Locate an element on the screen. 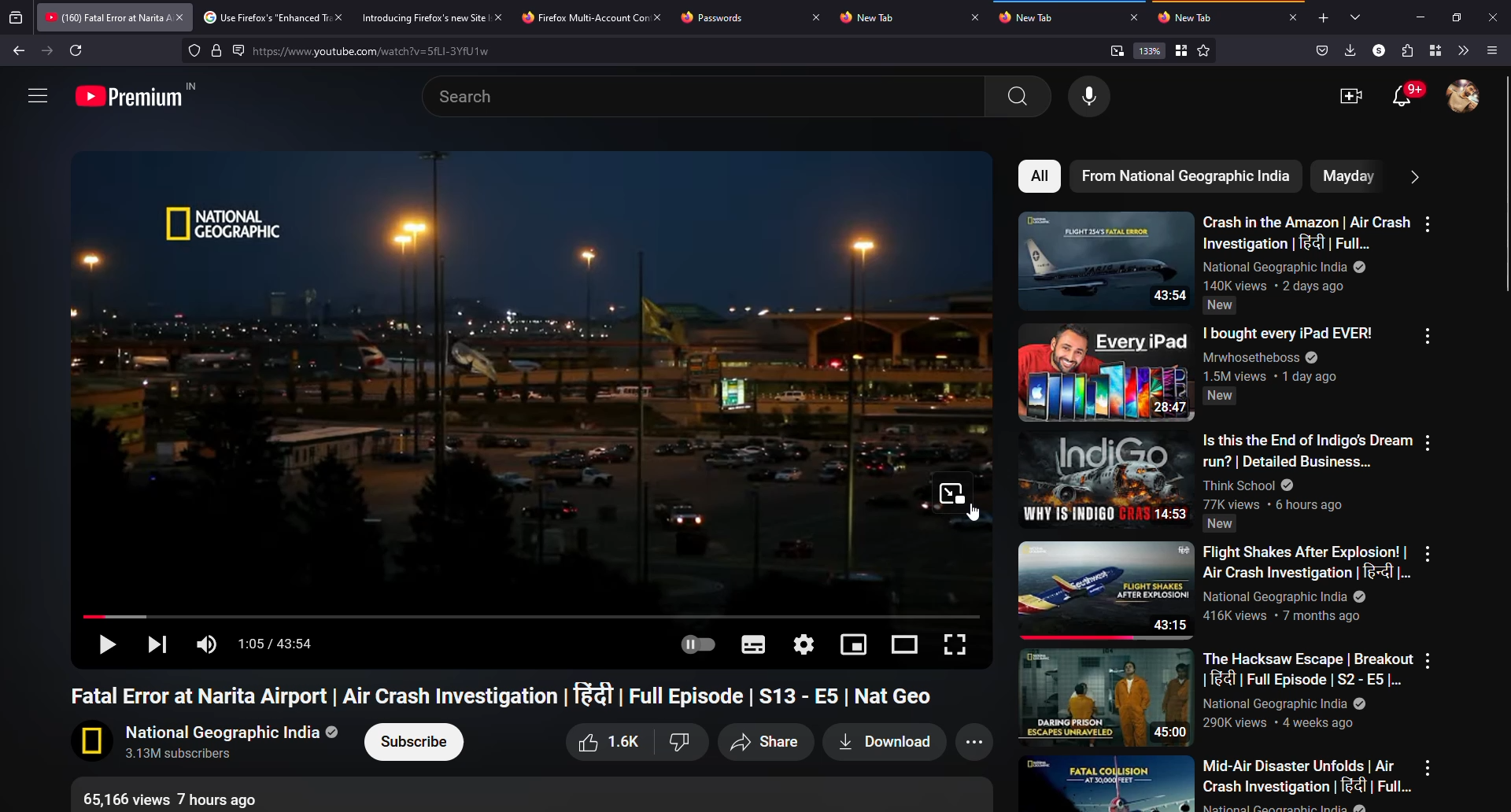 The image size is (1511, 812). close is located at coordinates (659, 14).